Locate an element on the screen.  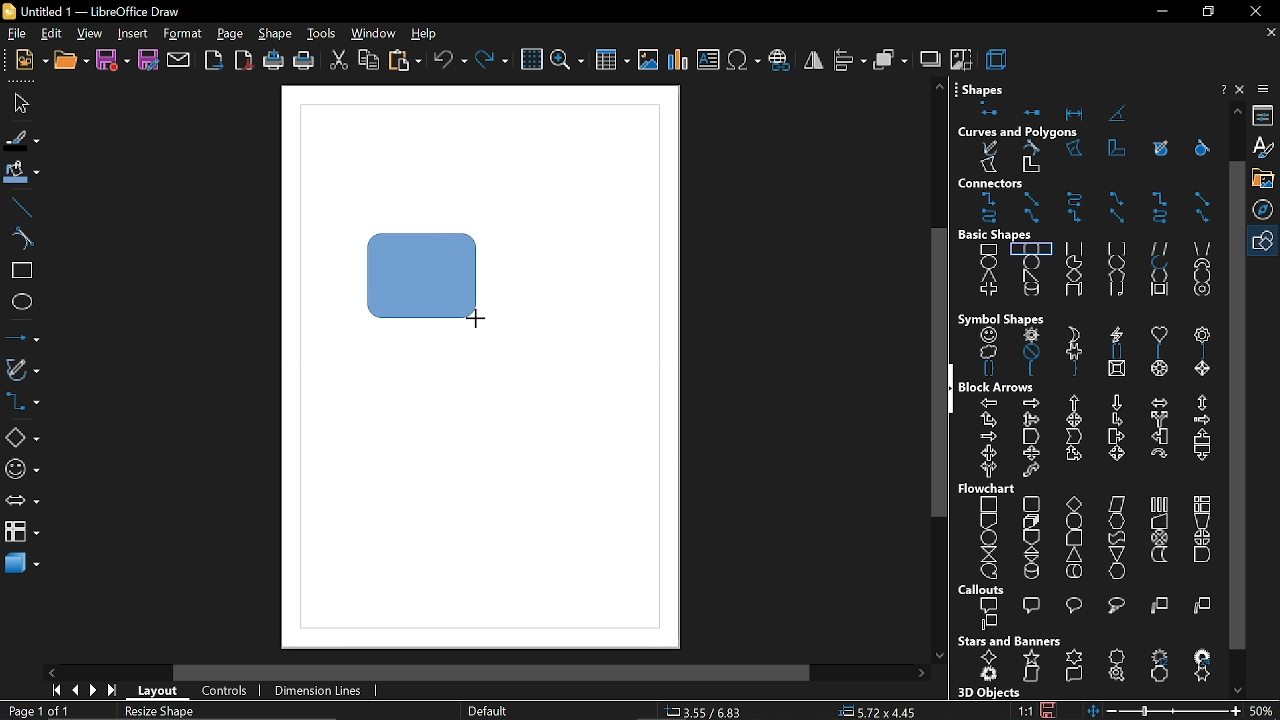
3D objects is located at coordinates (987, 693).